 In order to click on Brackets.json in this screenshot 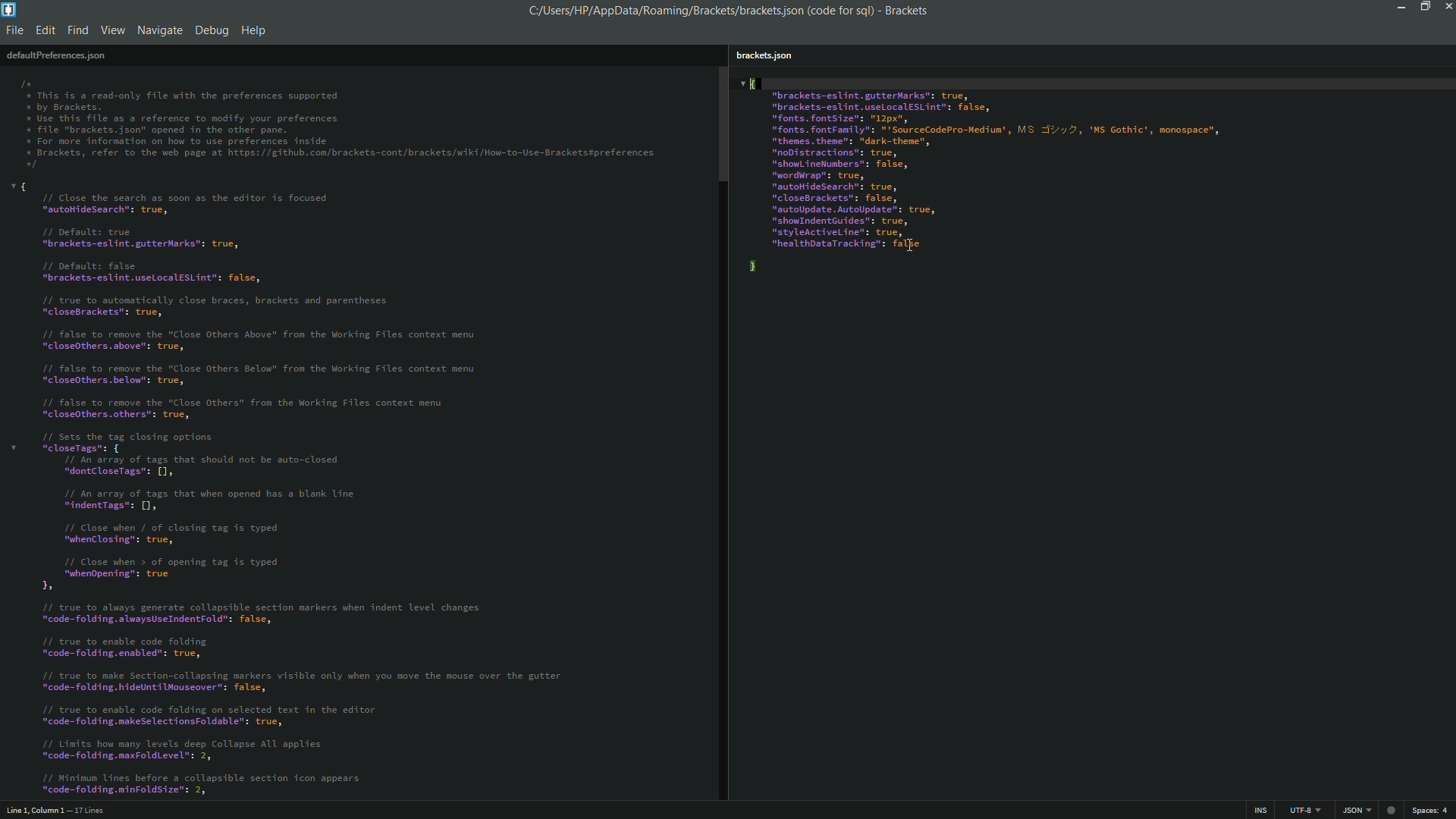, I will do `click(766, 55)`.